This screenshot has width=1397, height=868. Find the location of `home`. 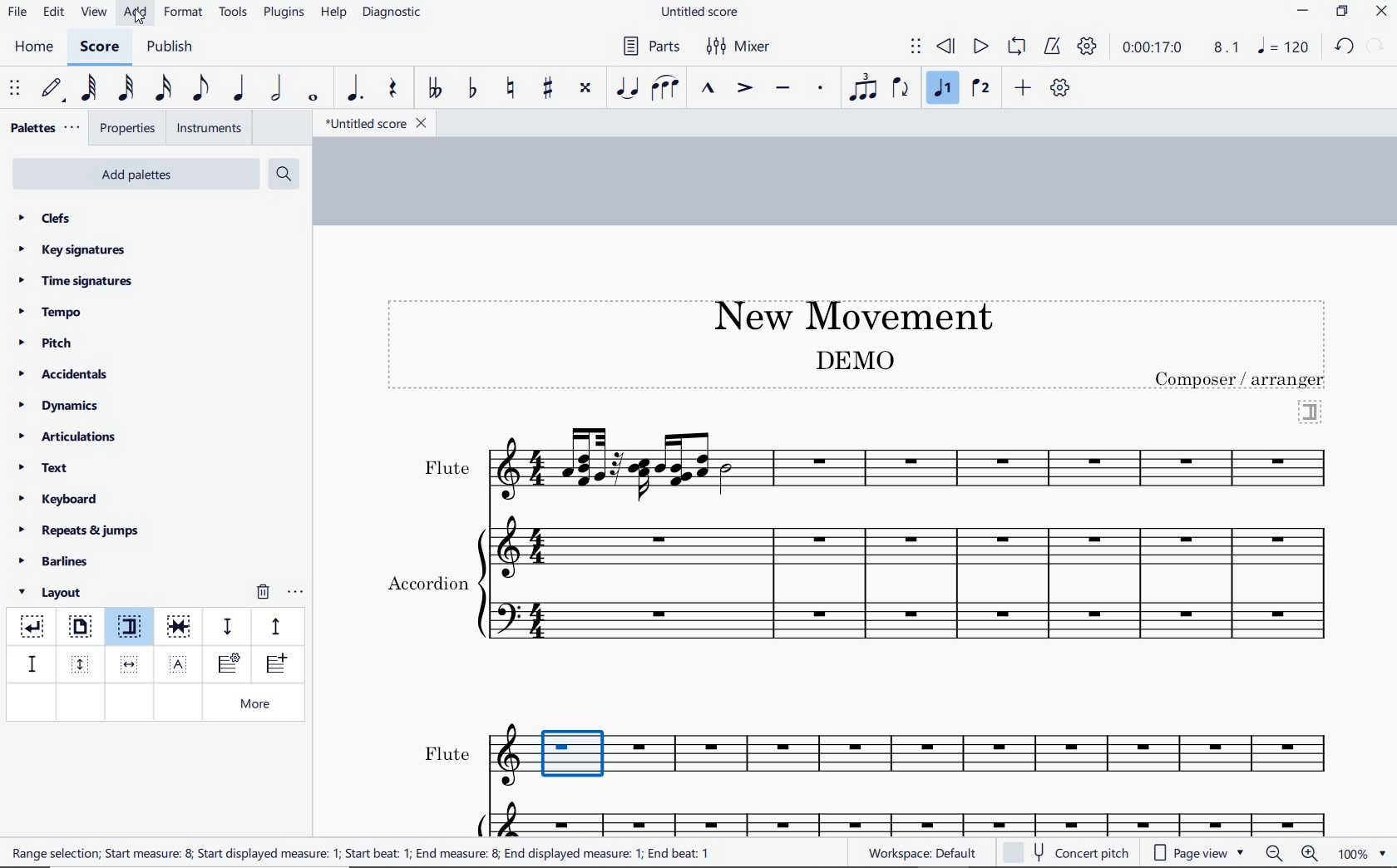

home is located at coordinates (33, 47).